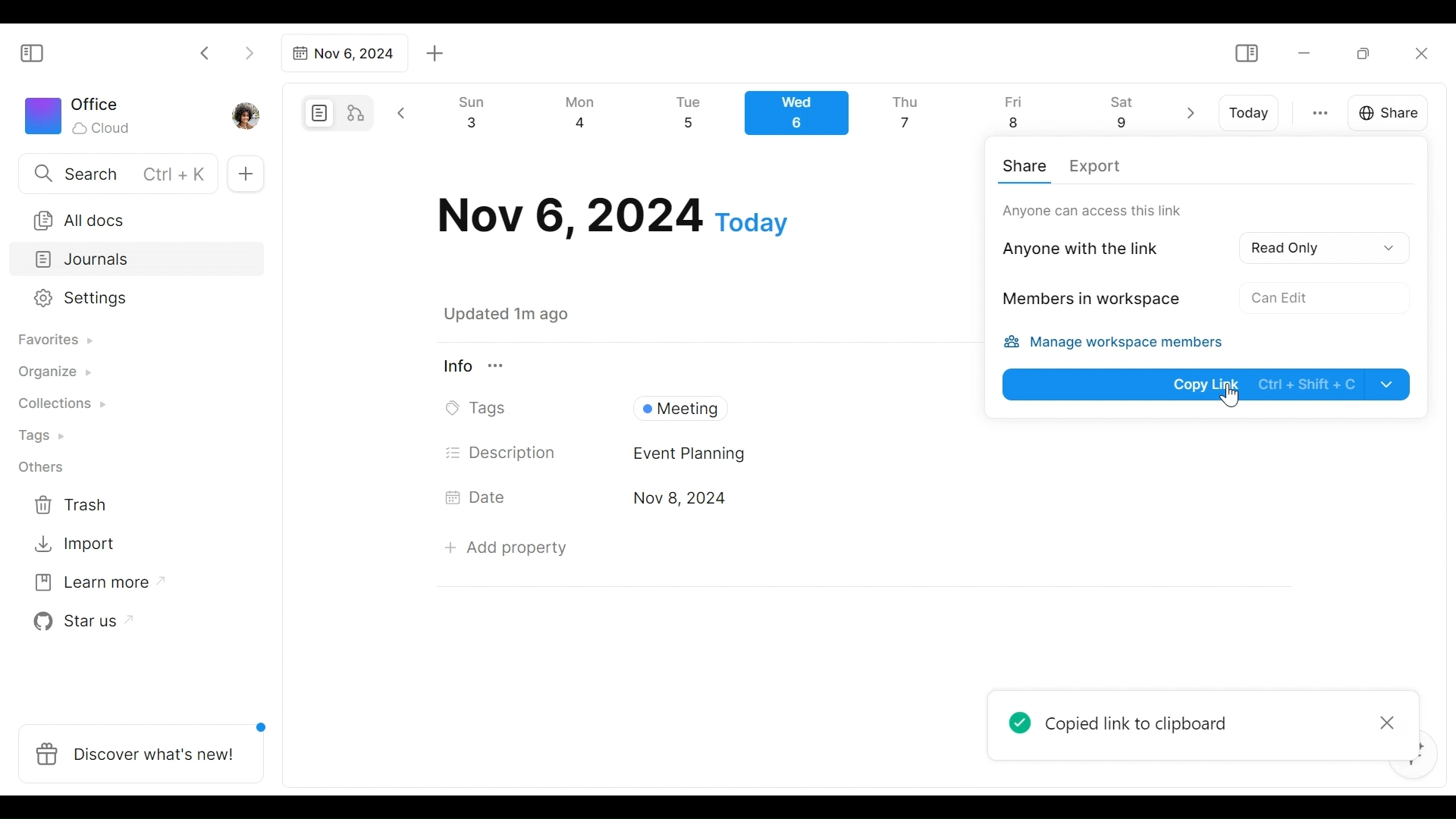 Image resolution: width=1456 pixels, height=819 pixels. Describe the element at coordinates (1116, 344) in the screenshot. I see `Manage workspace members` at that location.